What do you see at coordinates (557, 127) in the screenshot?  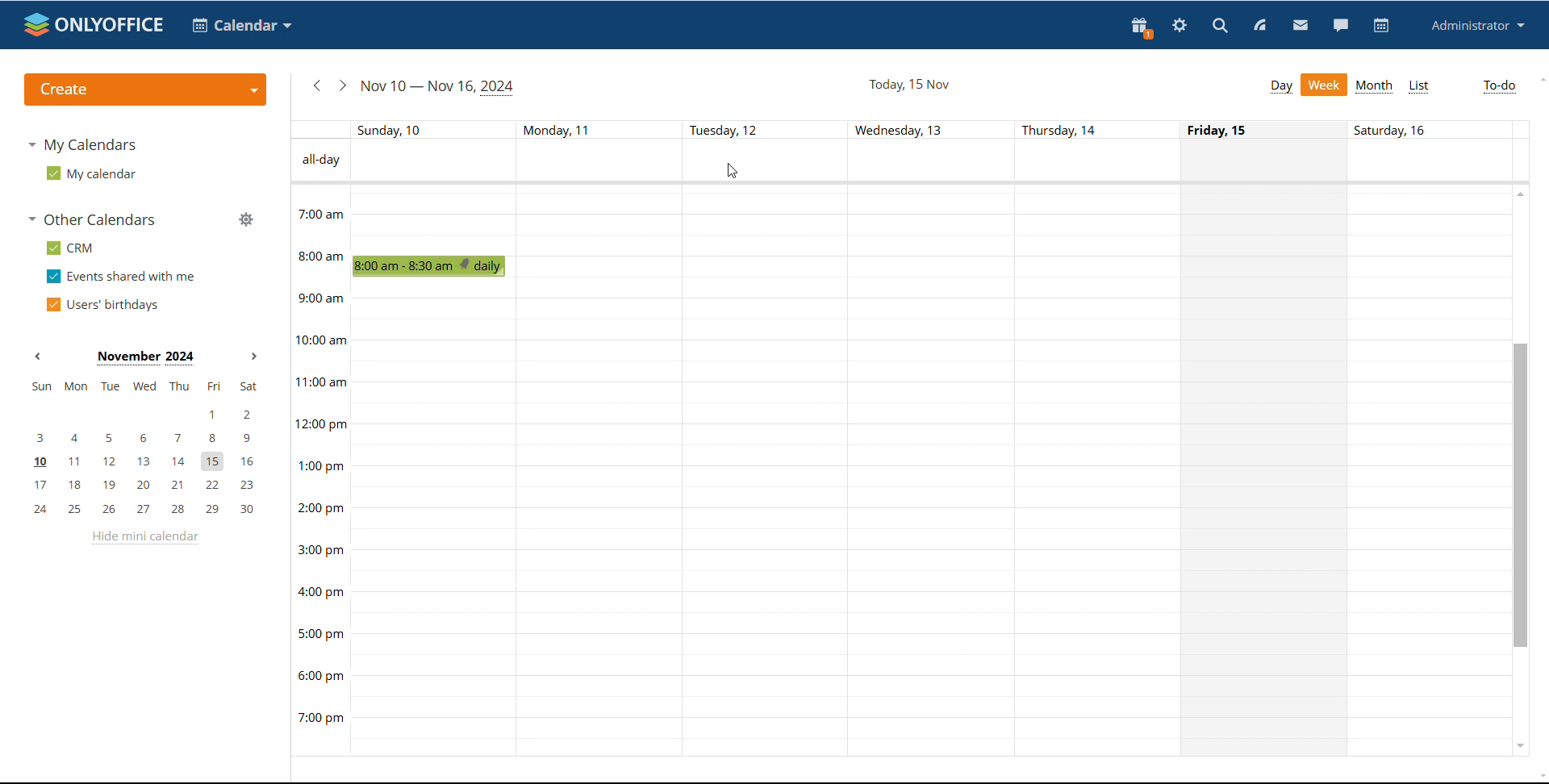 I see `text` at bounding box center [557, 127].